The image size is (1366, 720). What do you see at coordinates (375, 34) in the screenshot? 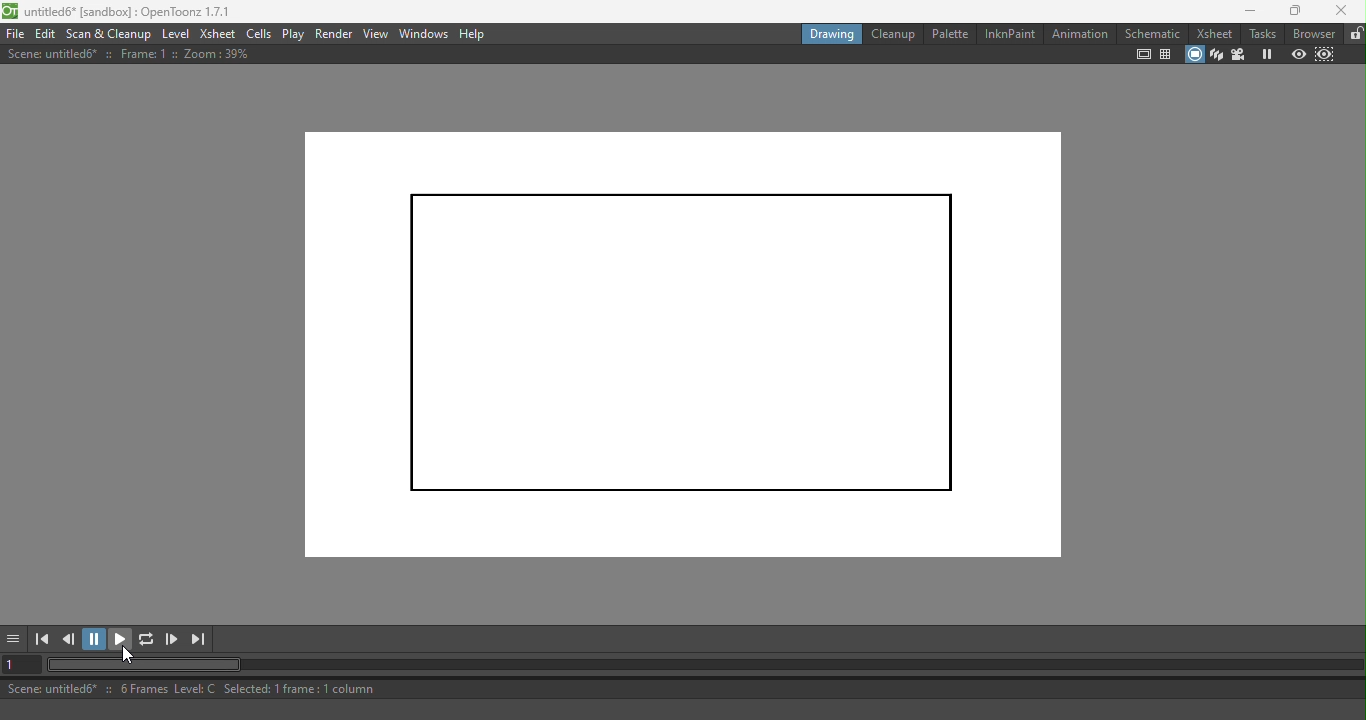
I see `View` at bounding box center [375, 34].